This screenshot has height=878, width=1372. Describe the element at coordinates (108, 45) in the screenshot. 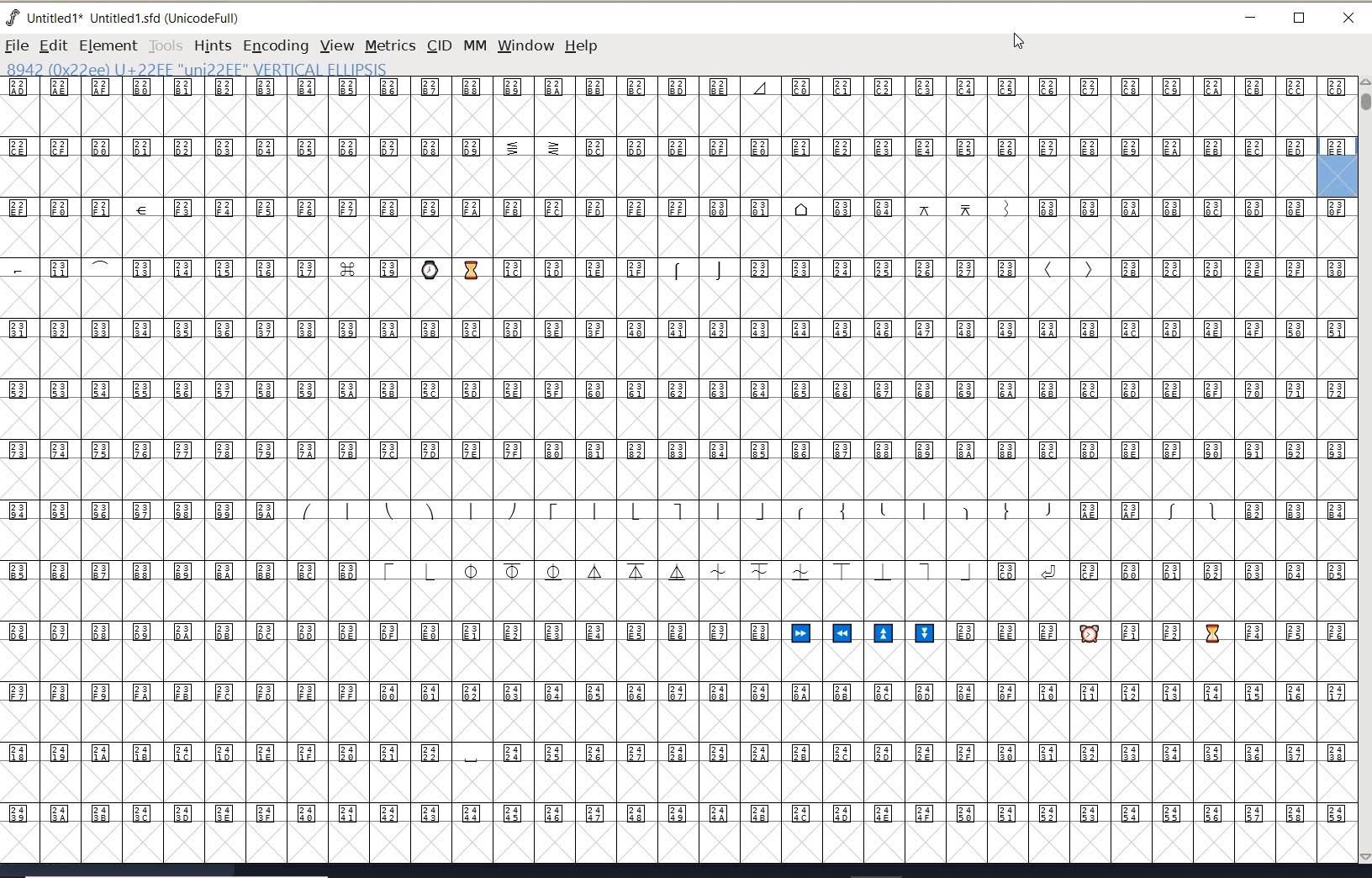

I see `ELEMENT` at that location.